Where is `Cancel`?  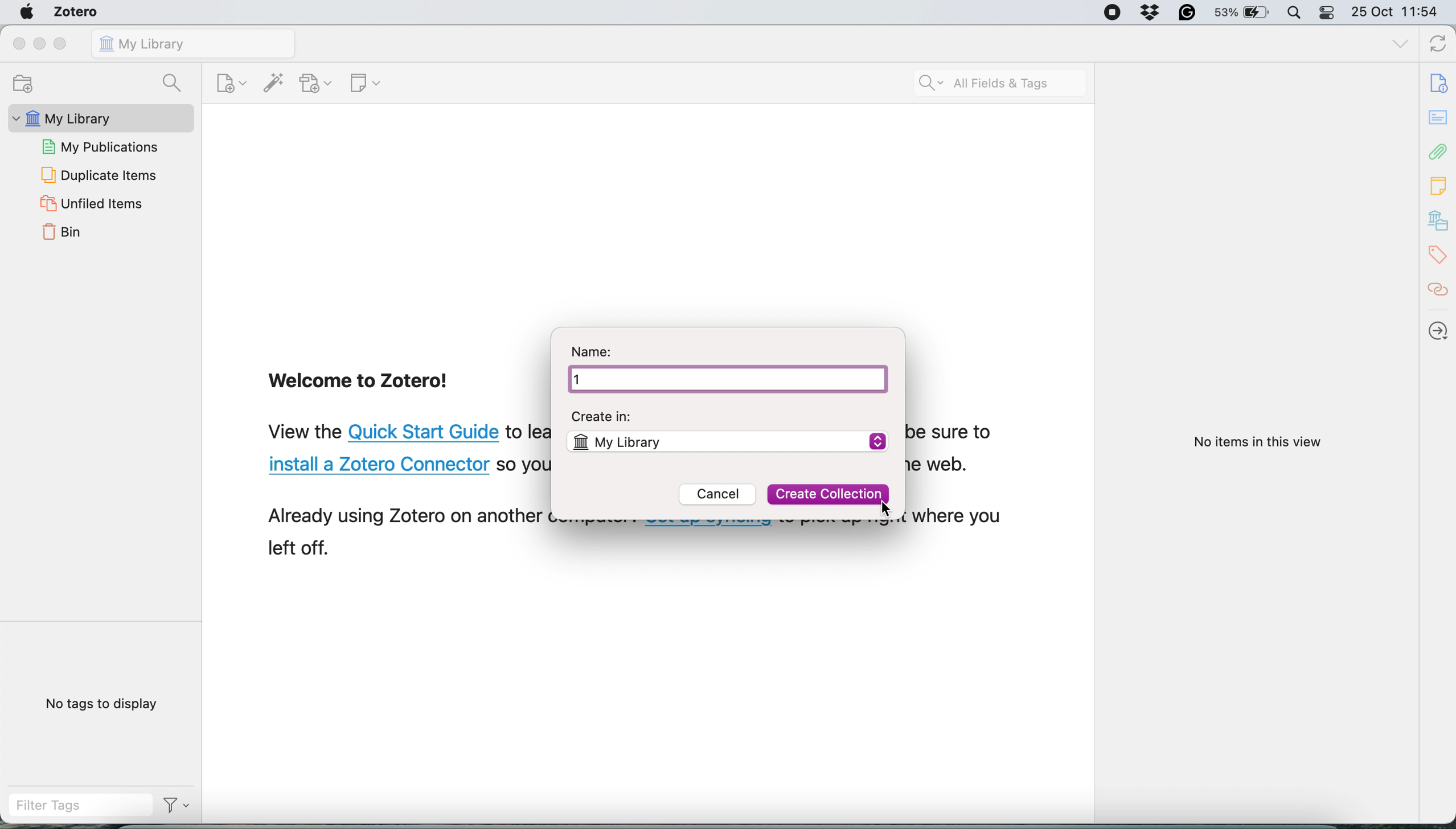
Cancel is located at coordinates (720, 496).